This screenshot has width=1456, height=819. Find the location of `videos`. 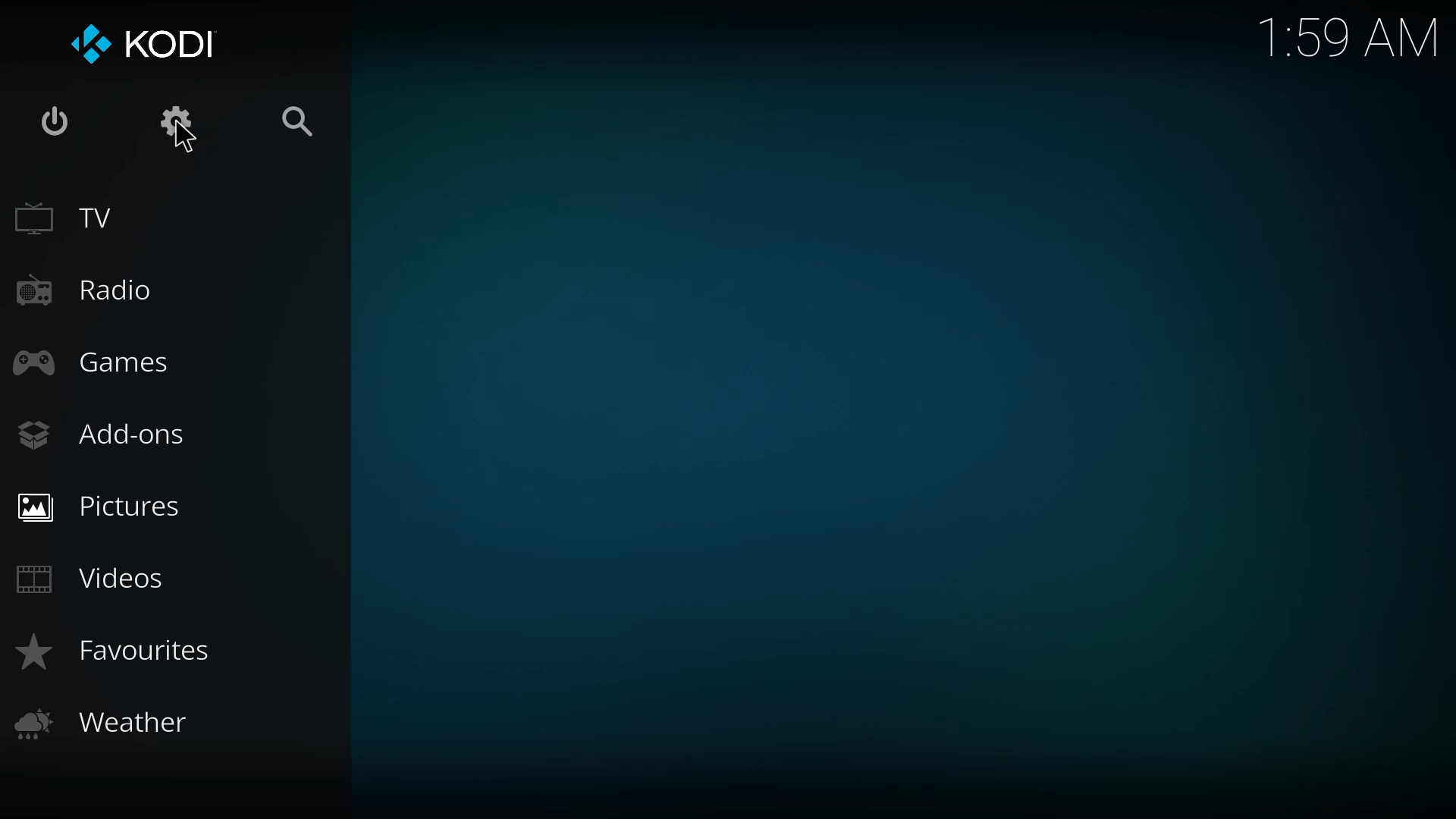

videos is located at coordinates (94, 577).